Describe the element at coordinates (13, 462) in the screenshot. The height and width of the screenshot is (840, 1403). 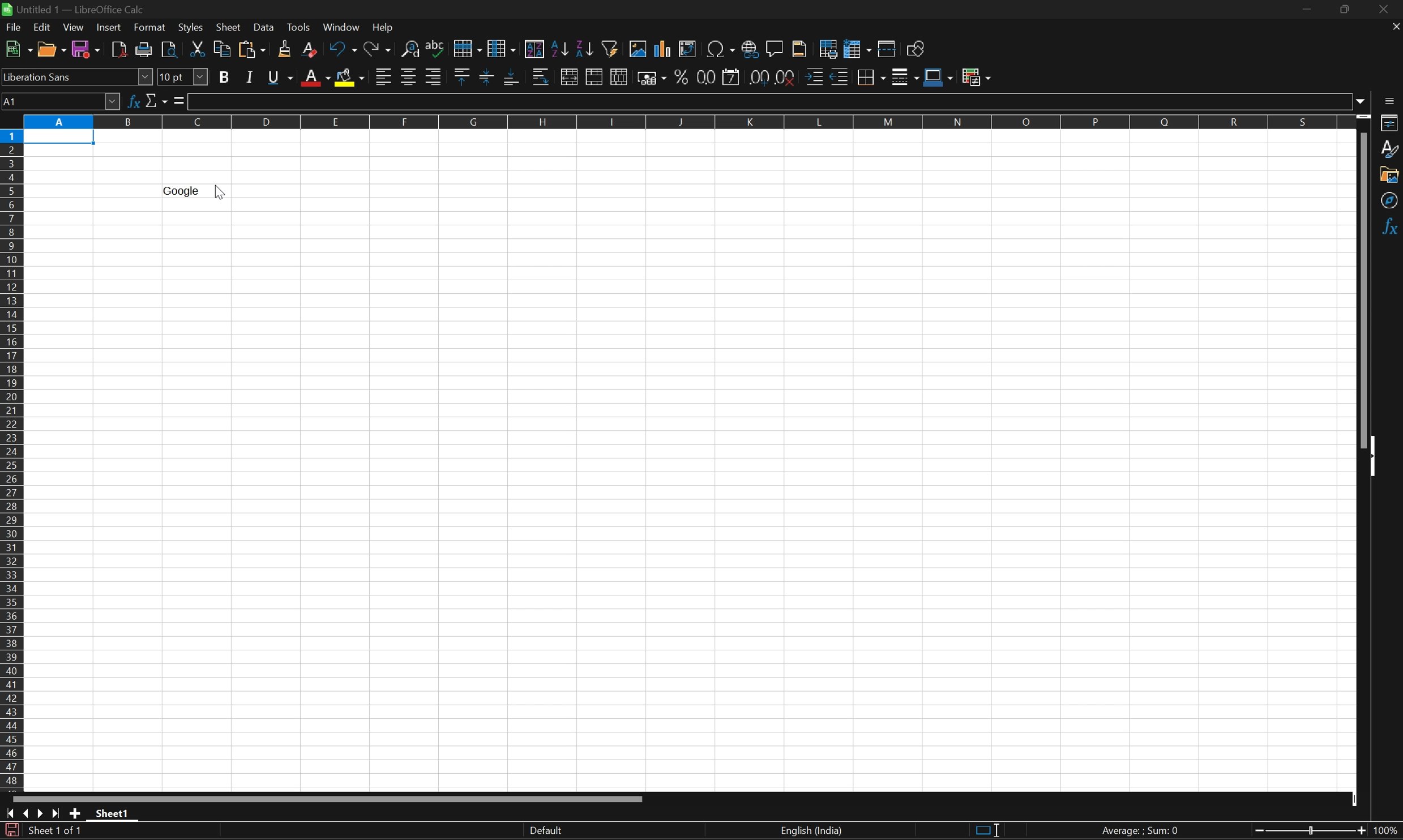
I see `Row numbers` at that location.